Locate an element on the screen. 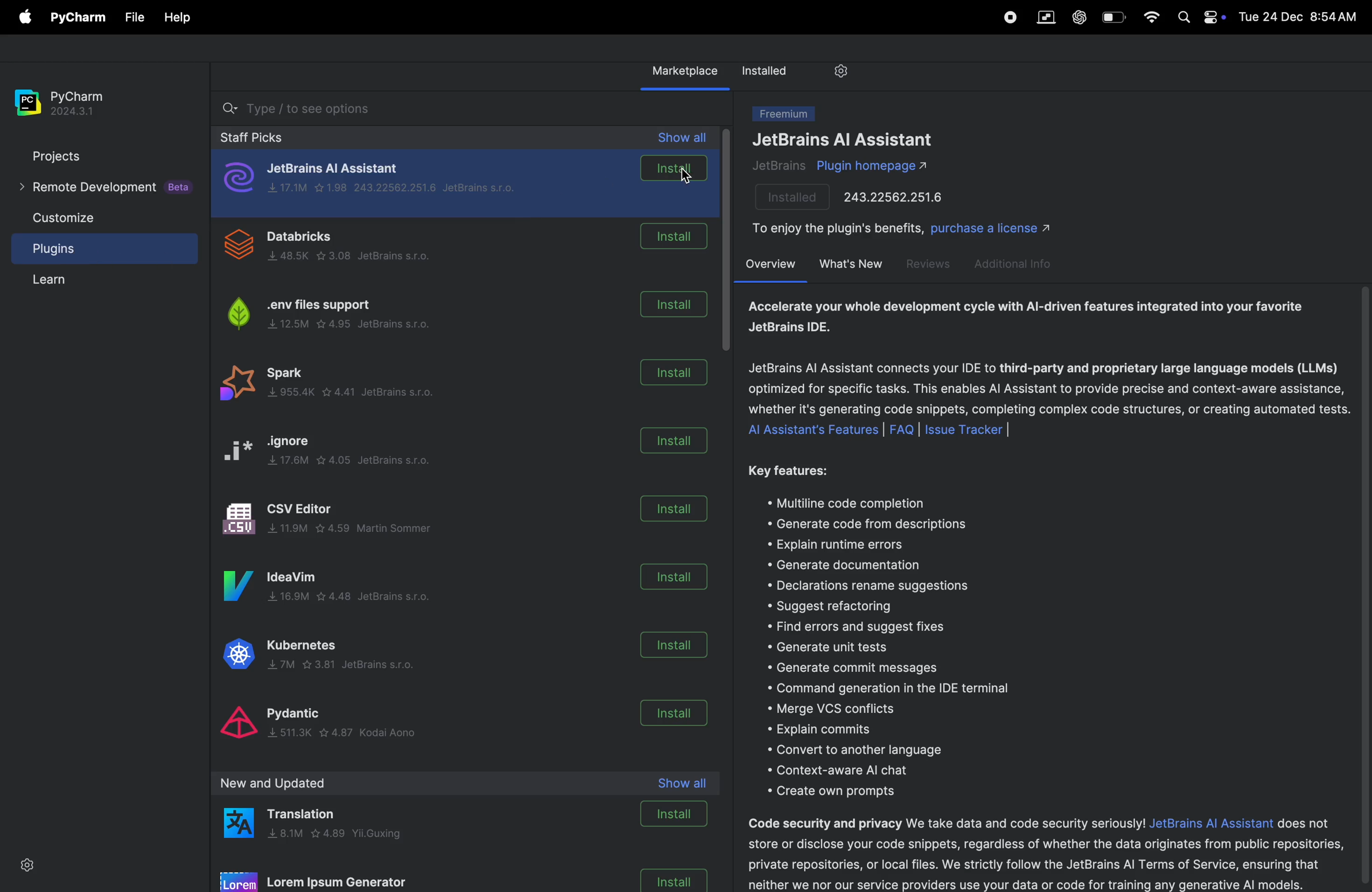 The width and height of the screenshot is (1372, 892). installed is located at coordinates (770, 71).